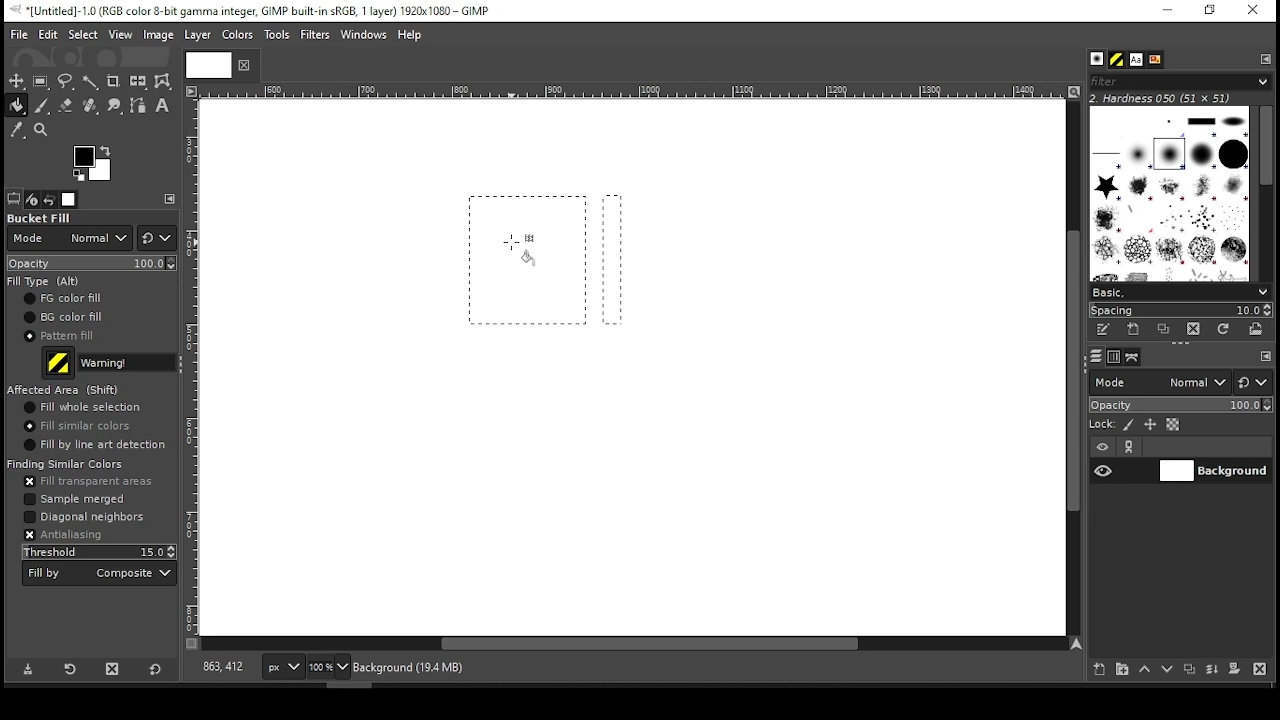 Image resolution: width=1280 pixels, height=720 pixels. What do you see at coordinates (1129, 447) in the screenshot?
I see `link` at bounding box center [1129, 447].